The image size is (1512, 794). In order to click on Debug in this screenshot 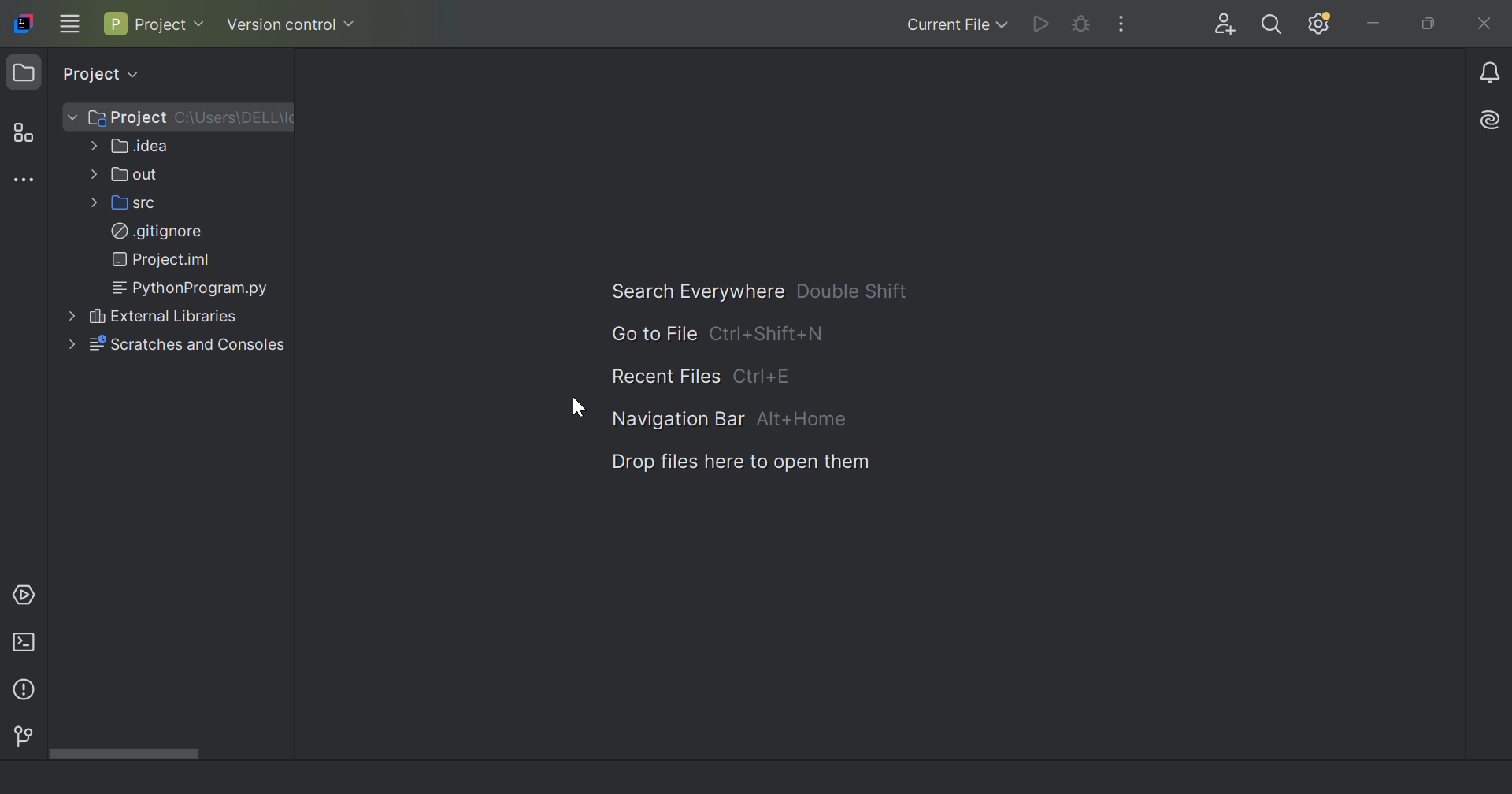, I will do `click(1082, 23)`.